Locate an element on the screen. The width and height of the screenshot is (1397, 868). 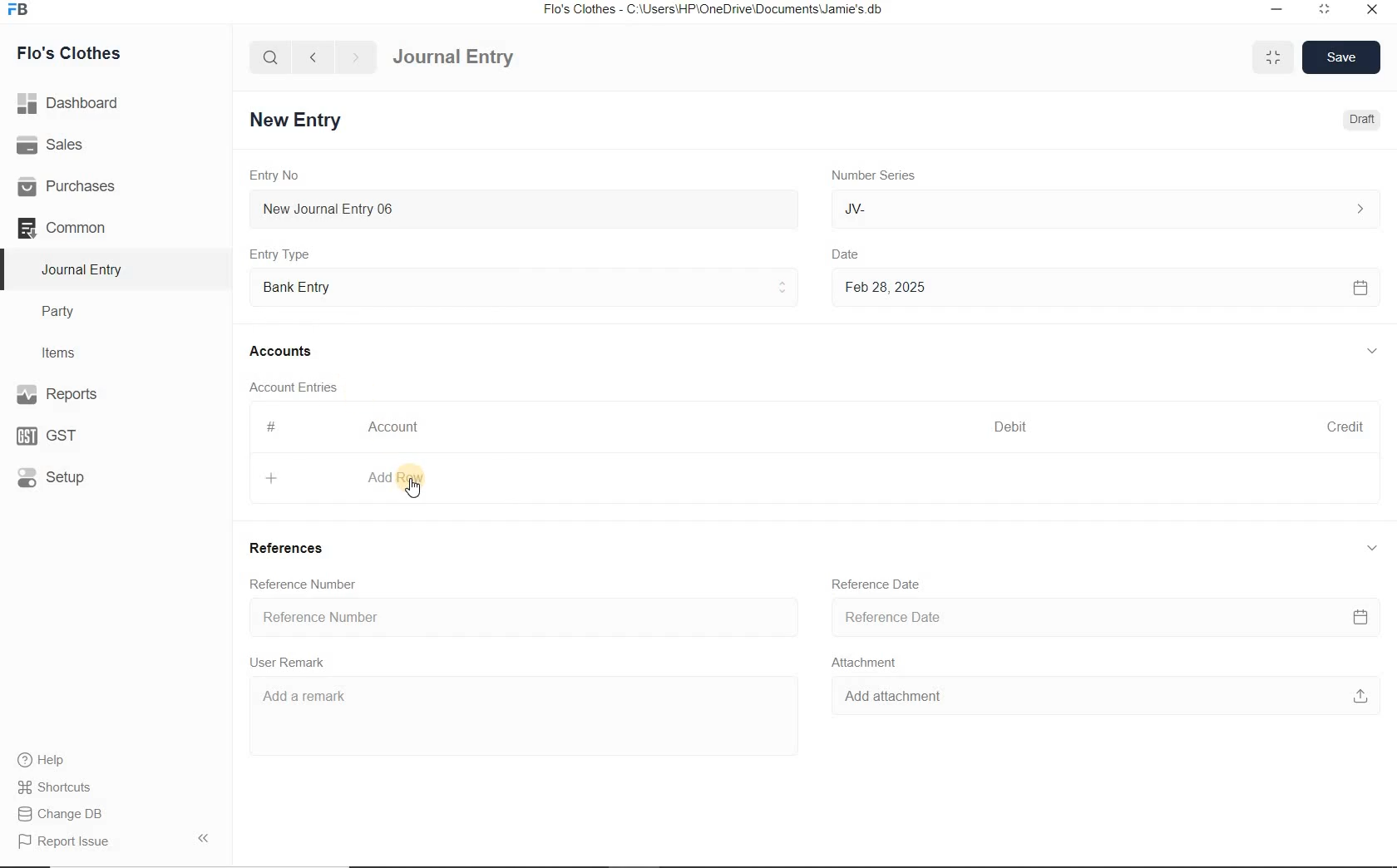
Add attachment is located at coordinates (1105, 697).